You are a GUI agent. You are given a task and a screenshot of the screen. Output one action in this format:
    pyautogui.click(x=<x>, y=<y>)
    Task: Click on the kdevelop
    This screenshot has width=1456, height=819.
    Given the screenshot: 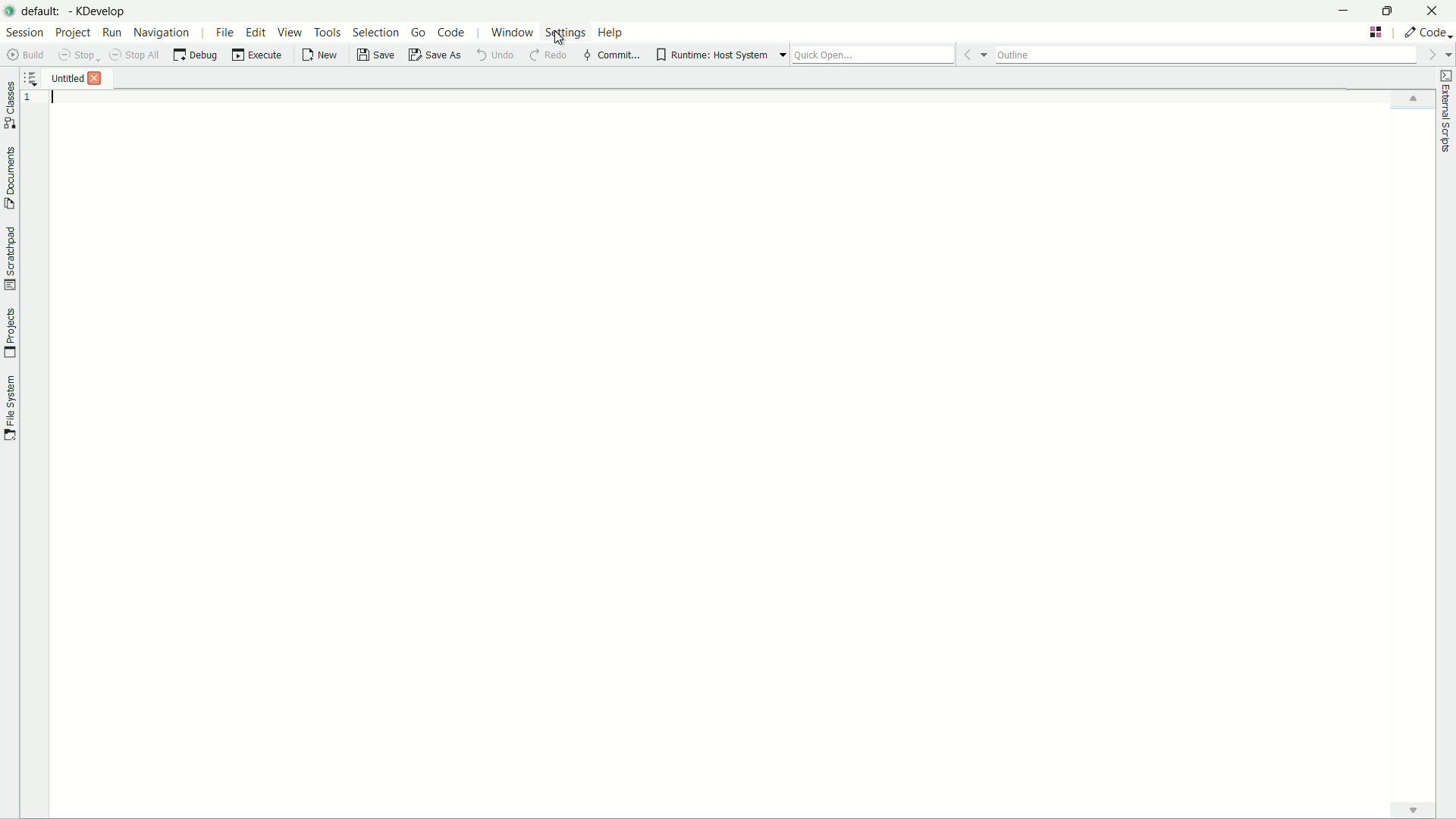 What is the action you would take?
    pyautogui.click(x=99, y=11)
    